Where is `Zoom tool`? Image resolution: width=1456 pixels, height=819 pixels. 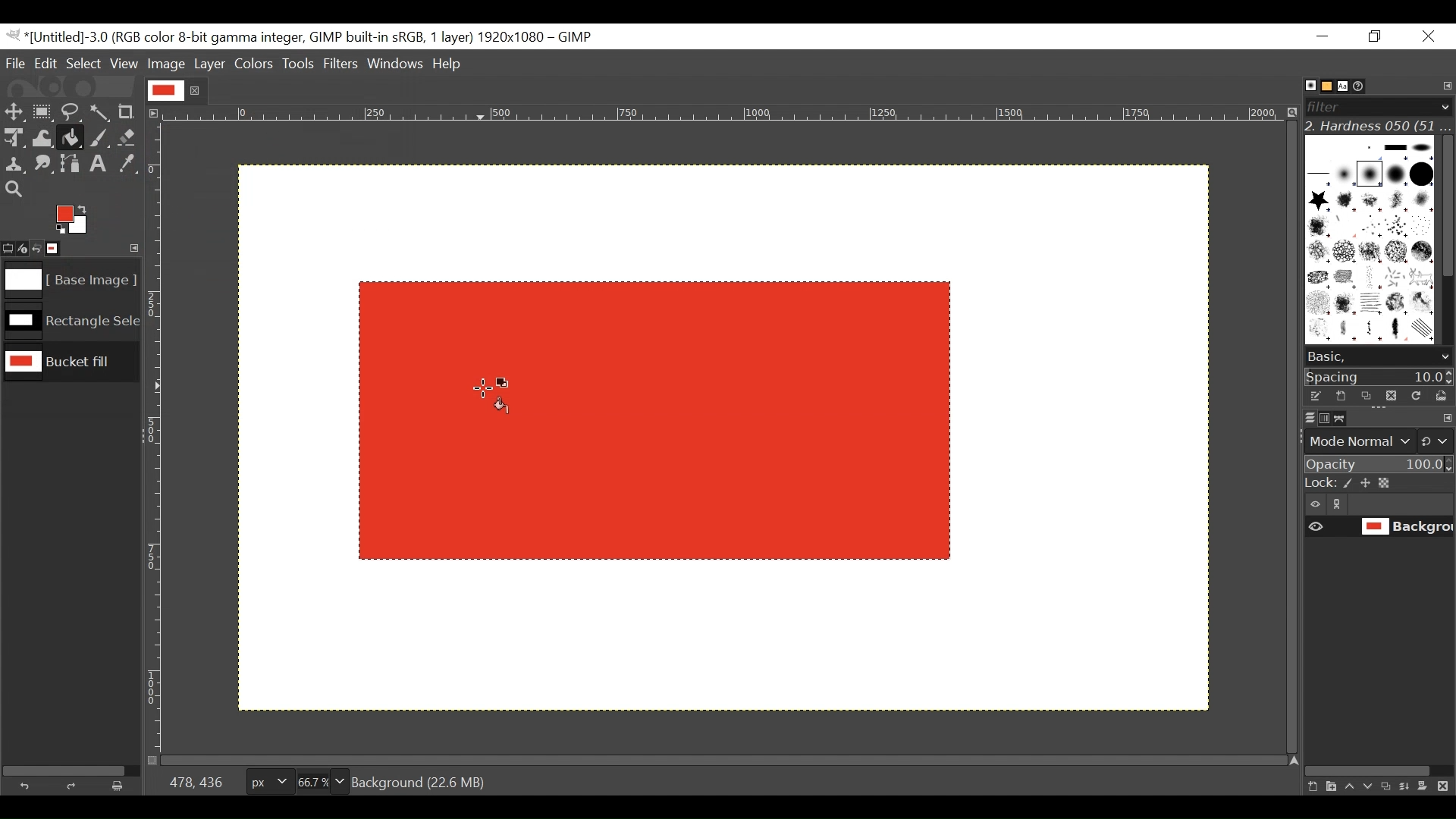 Zoom tool is located at coordinates (14, 188).